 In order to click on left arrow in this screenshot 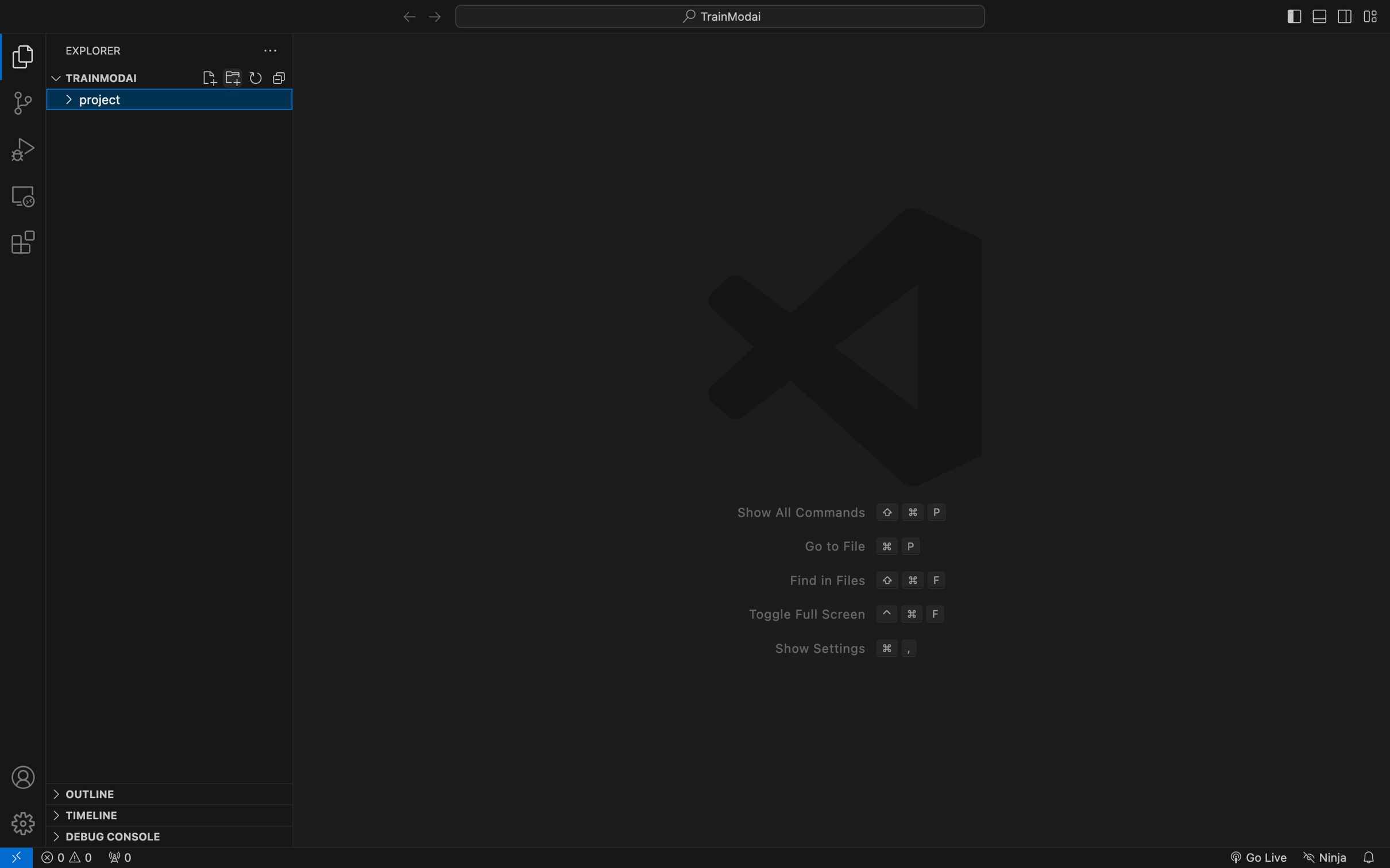, I will do `click(430, 17)`.